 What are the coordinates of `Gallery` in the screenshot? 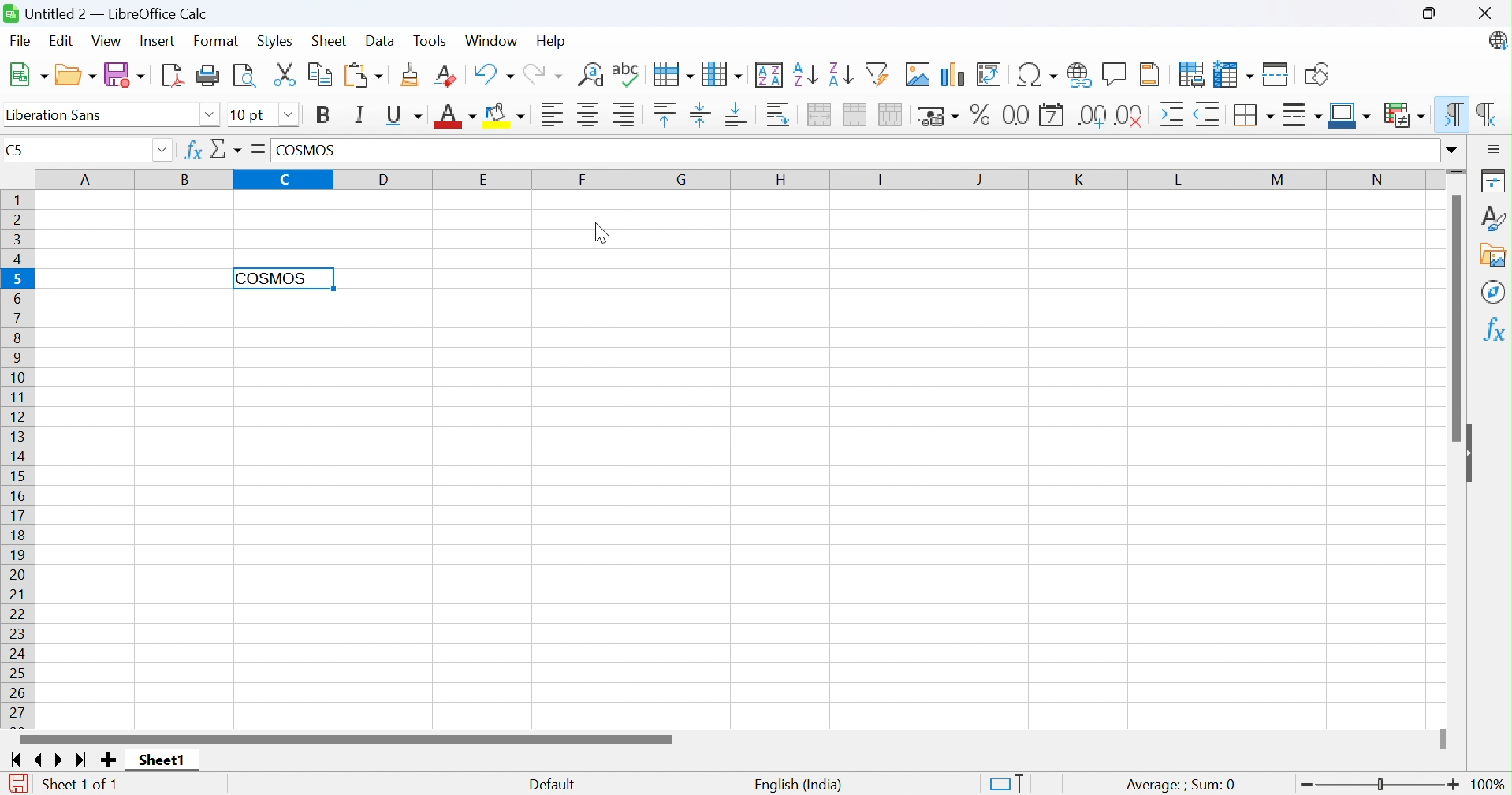 It's located at (1495, 256).